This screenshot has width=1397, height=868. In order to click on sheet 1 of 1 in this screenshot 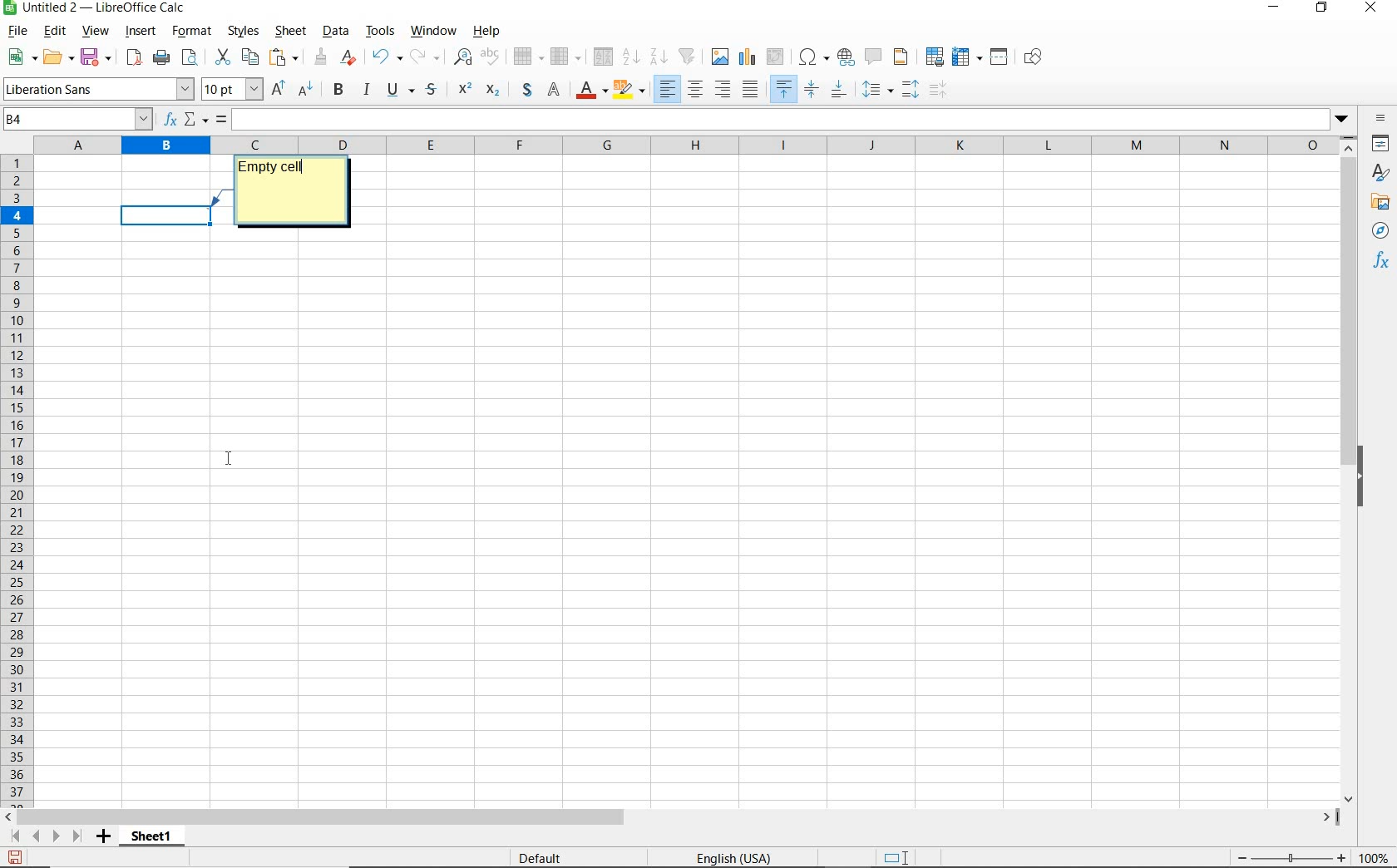, I will do `click(67, 861)`.